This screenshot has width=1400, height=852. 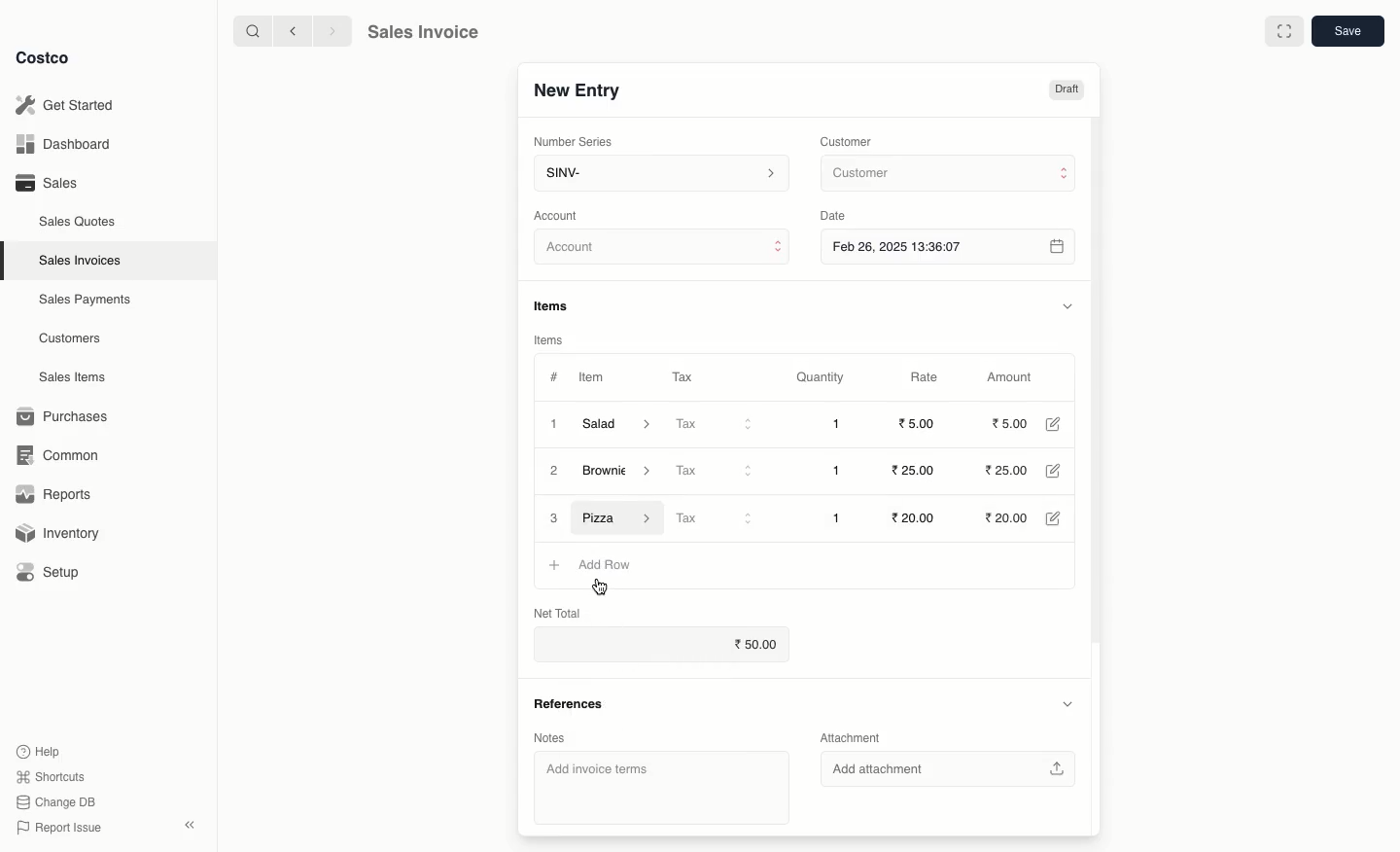 I want to click on 25.00, so click(x=916, y=471).